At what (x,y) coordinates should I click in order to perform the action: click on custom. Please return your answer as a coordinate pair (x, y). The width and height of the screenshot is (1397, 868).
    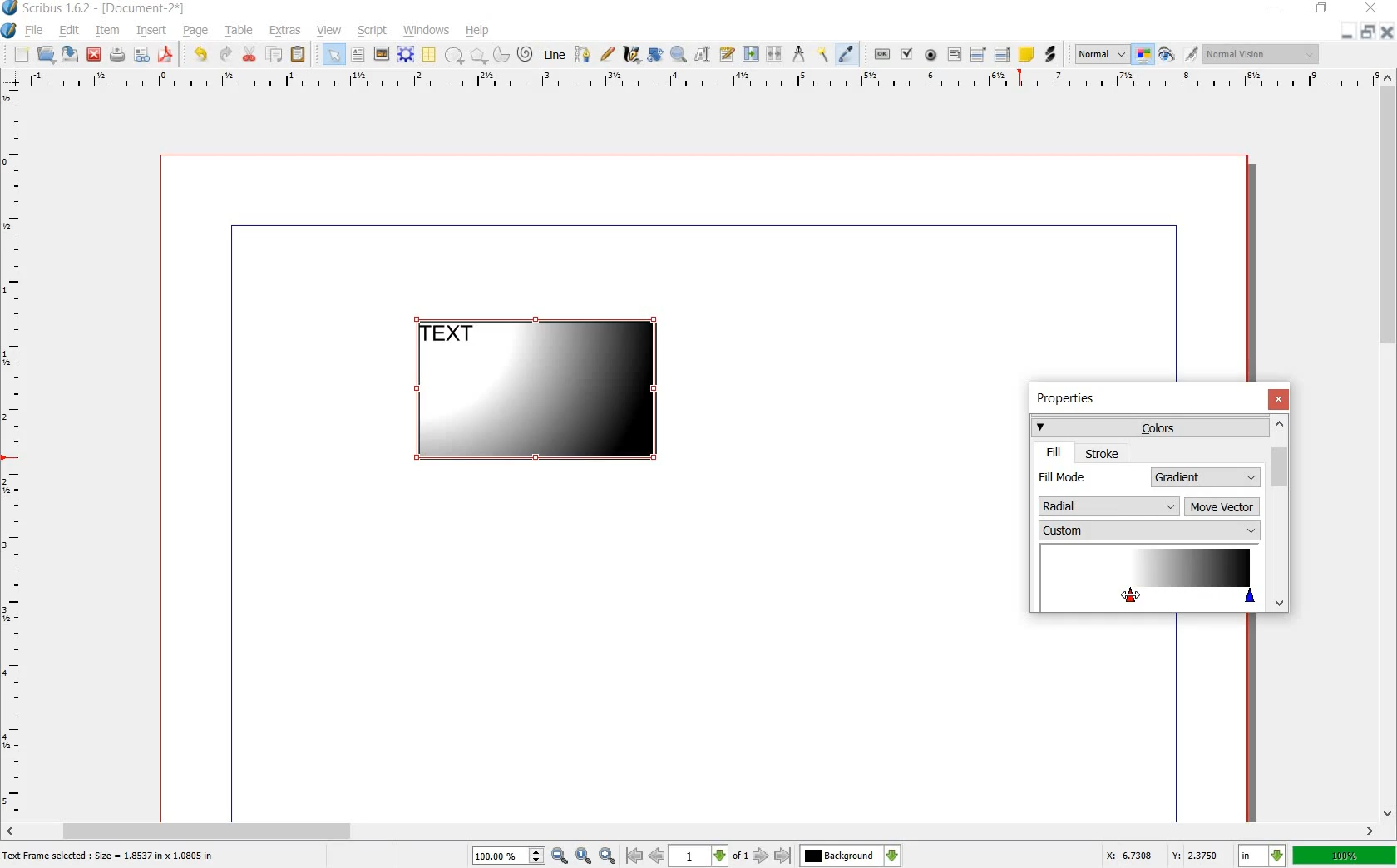
    Looking at the image, I should click on (1148, 530).